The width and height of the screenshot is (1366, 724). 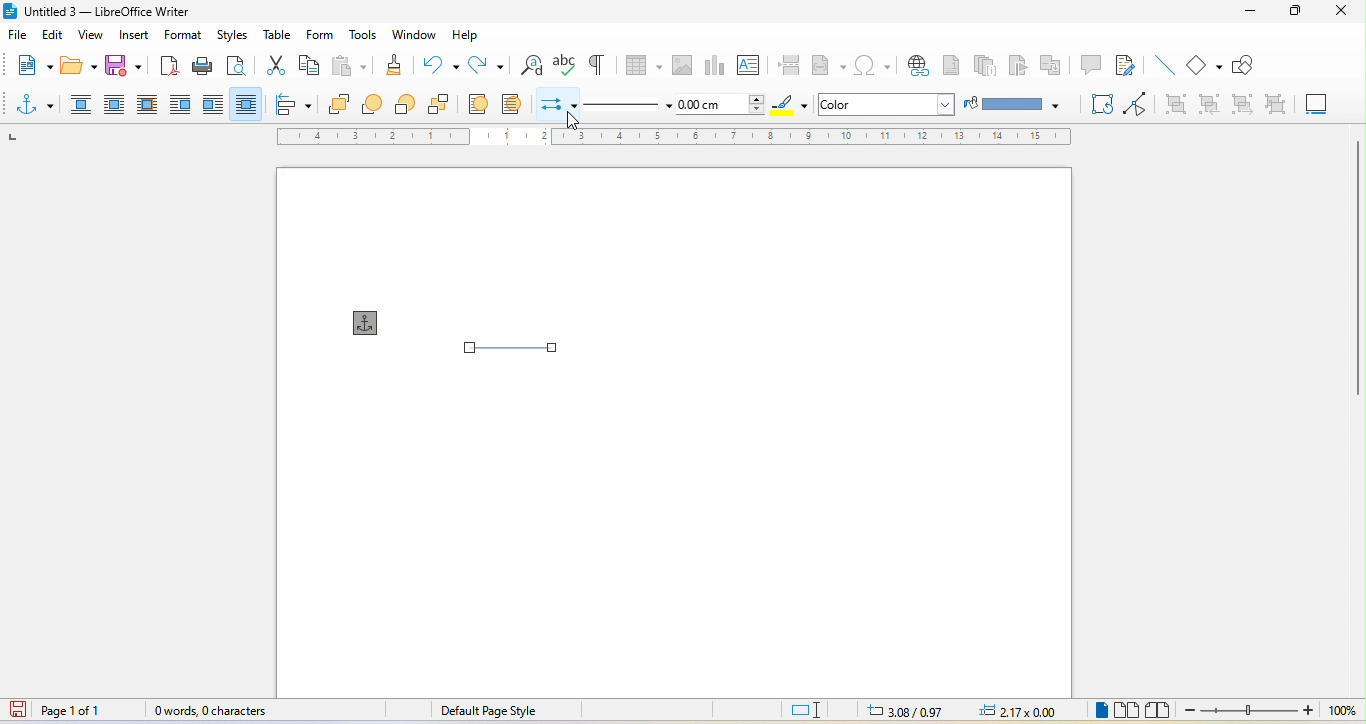 I want to click on select start and end arrowheads for lines, so click(x=561, y=105).